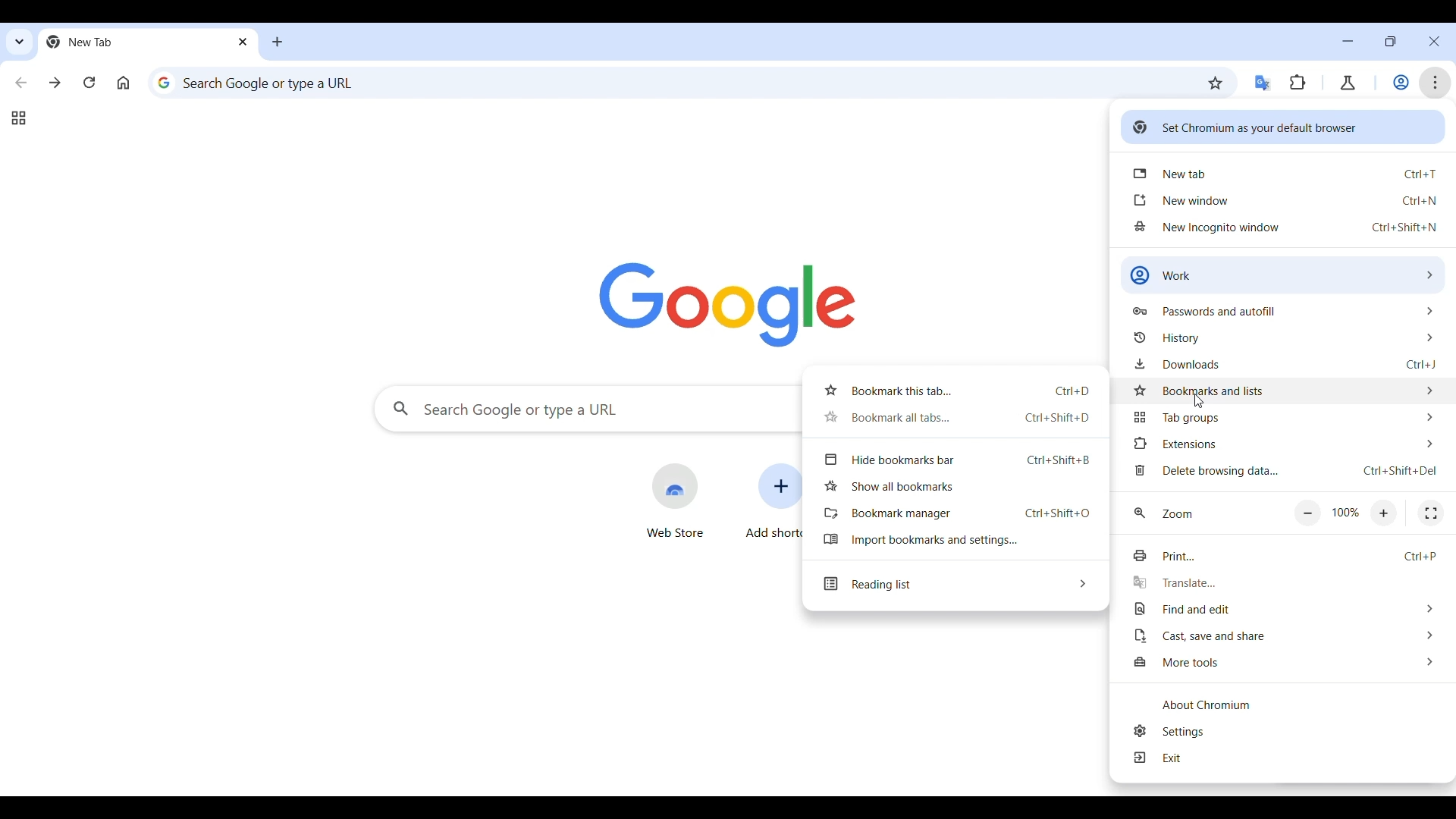 The width and height of the screenshot is (1456, 819). I want to click on More tools, so click(1285, 663).